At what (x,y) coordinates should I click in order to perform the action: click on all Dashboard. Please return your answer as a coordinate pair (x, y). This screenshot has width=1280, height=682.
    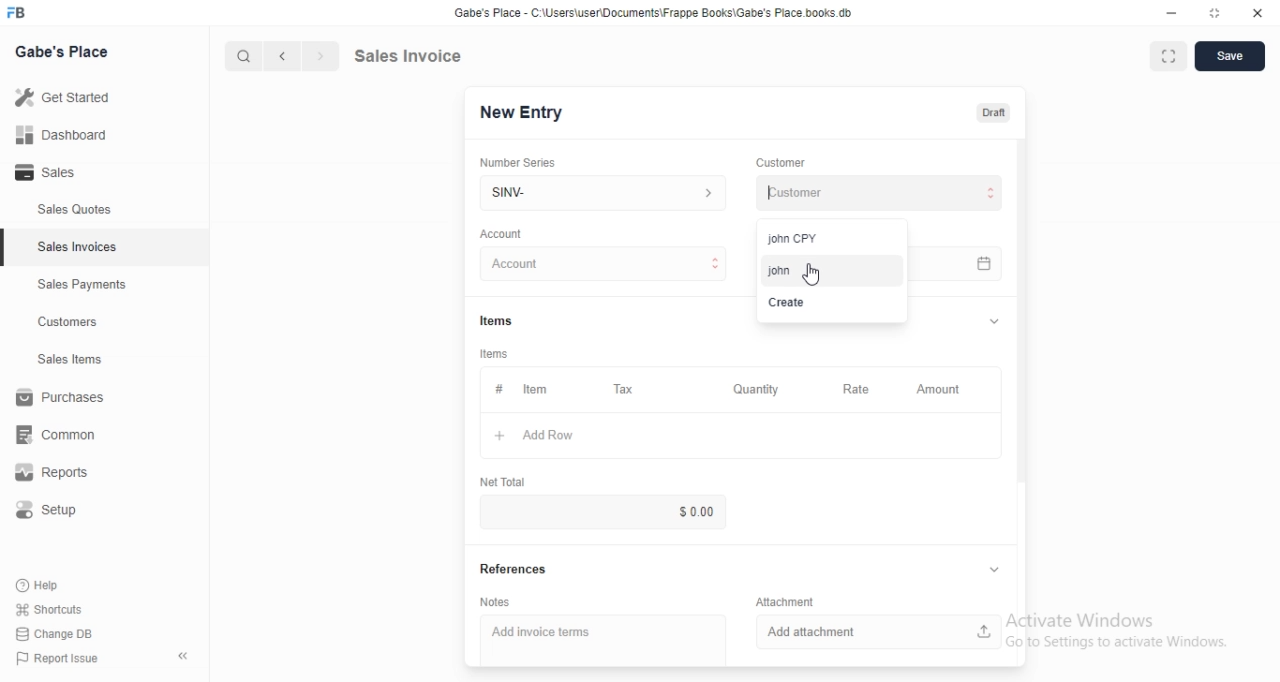
    Looking at the image, I should click on (69, 141).